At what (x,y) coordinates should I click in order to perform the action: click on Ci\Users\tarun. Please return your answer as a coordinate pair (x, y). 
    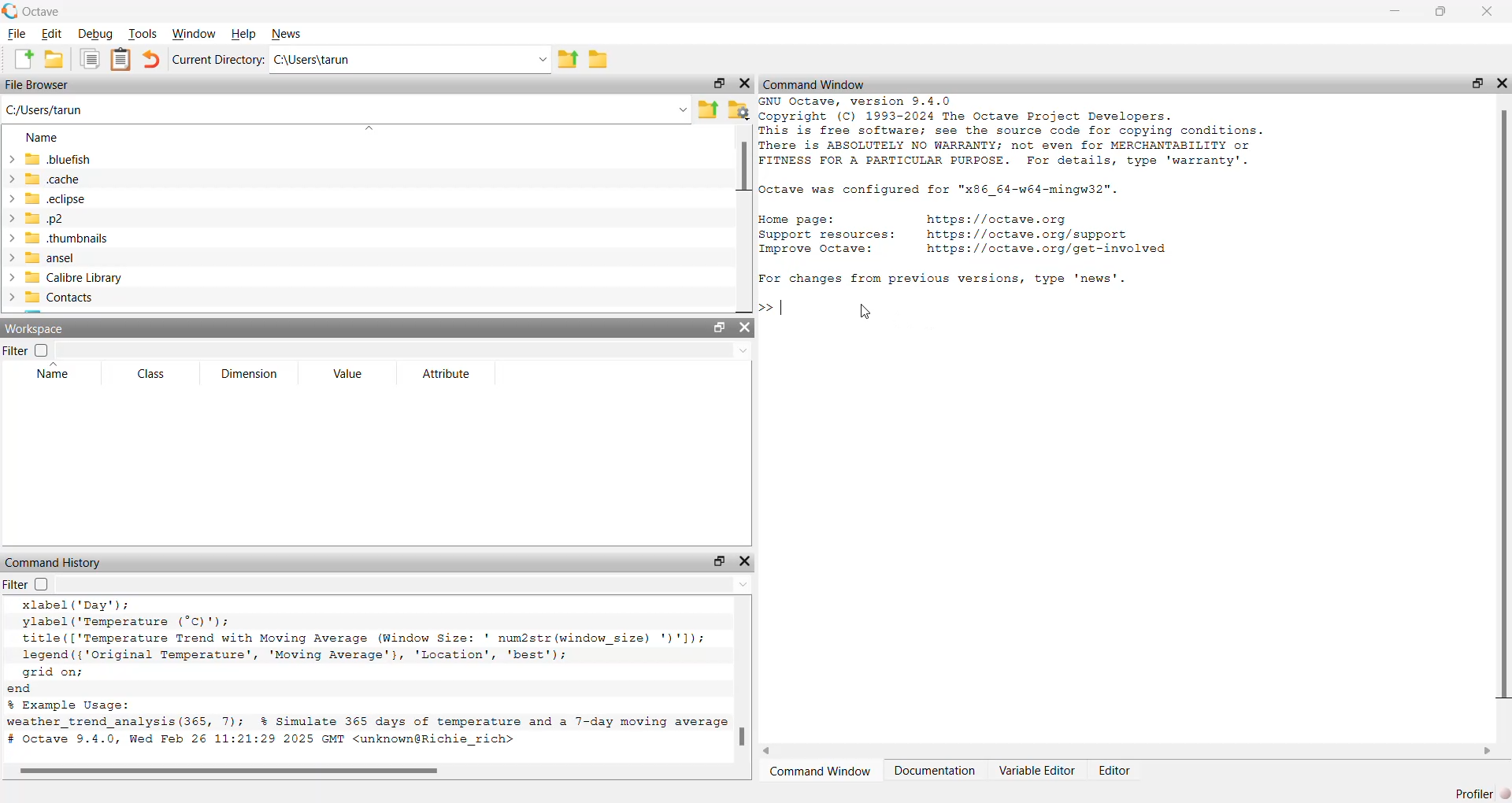
    Looking at the image, I should click on (354, 59).